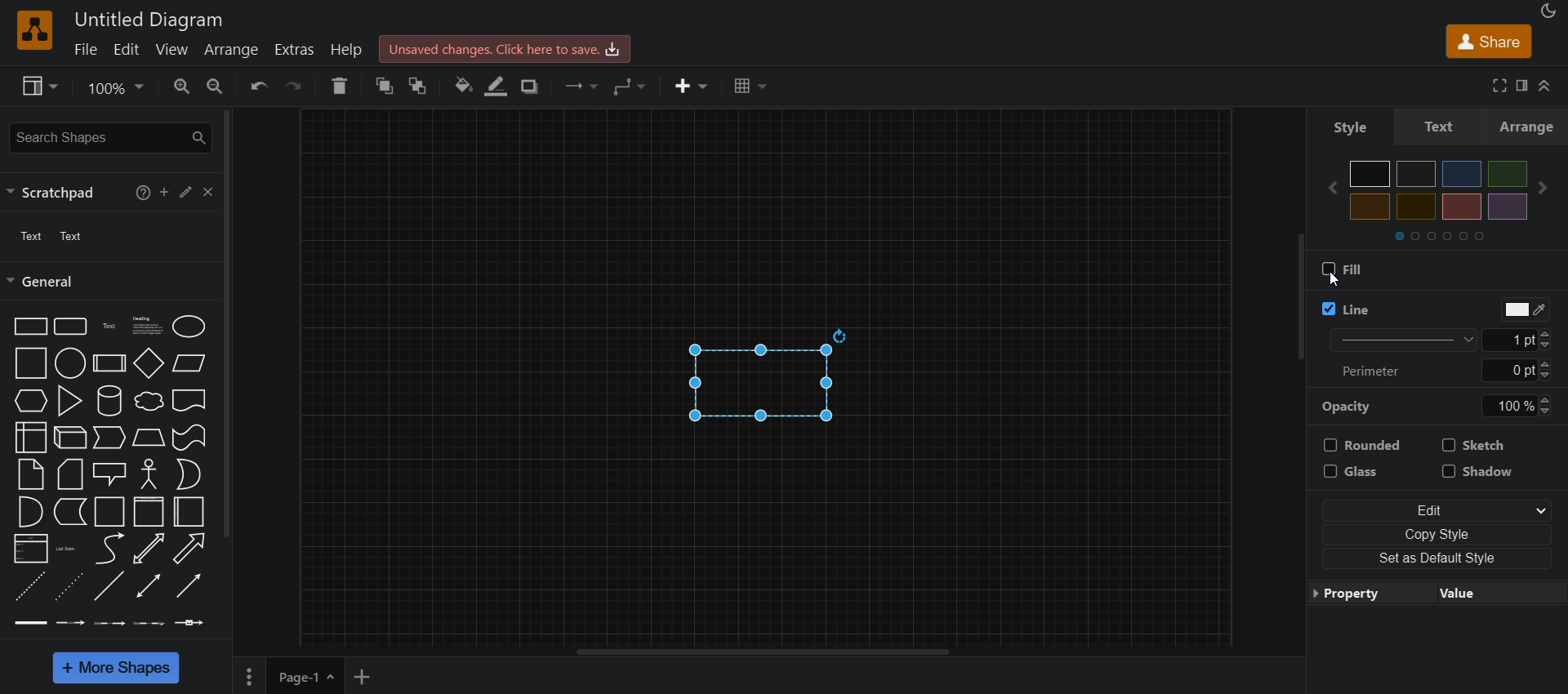 Image resolution: width=1568 pixels, height=694 pixels. Describe the element at coordinates (248, 677) in the screenshot. I see `options` at that location.